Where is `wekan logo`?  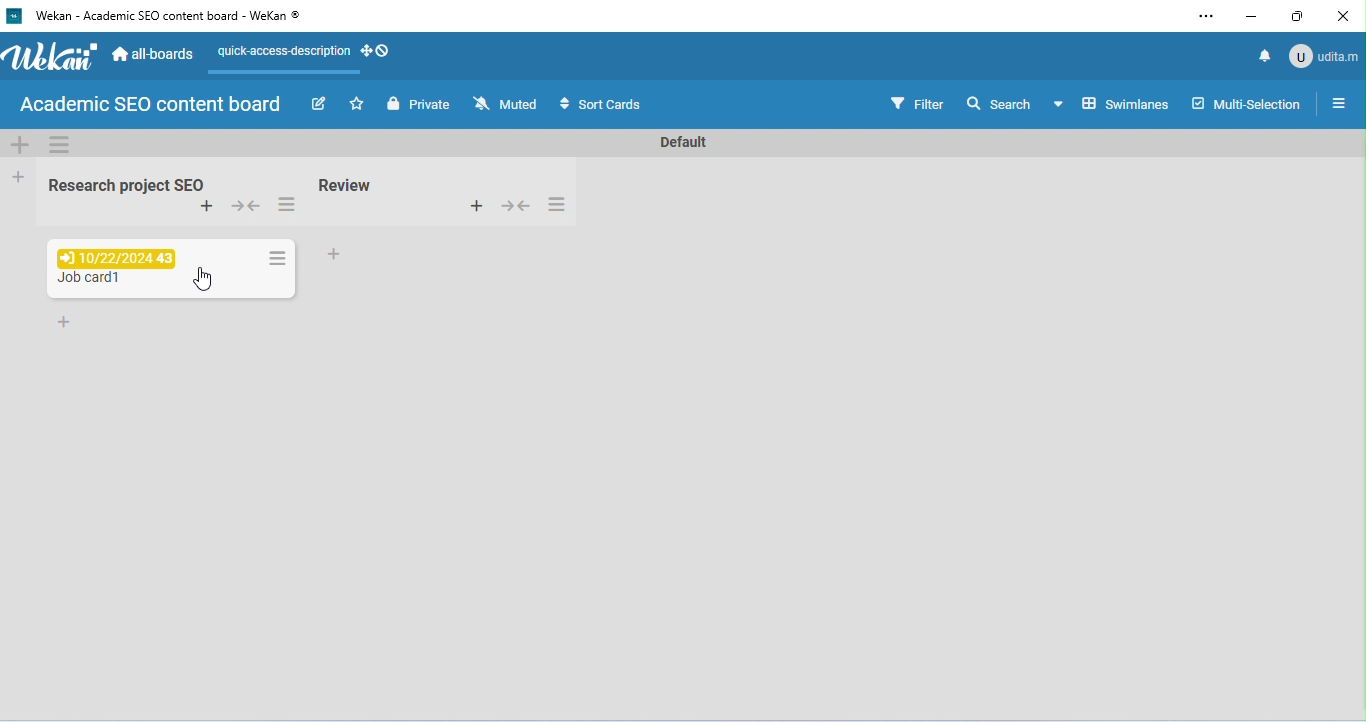
wekan logo is located at coordinates (13, 17).